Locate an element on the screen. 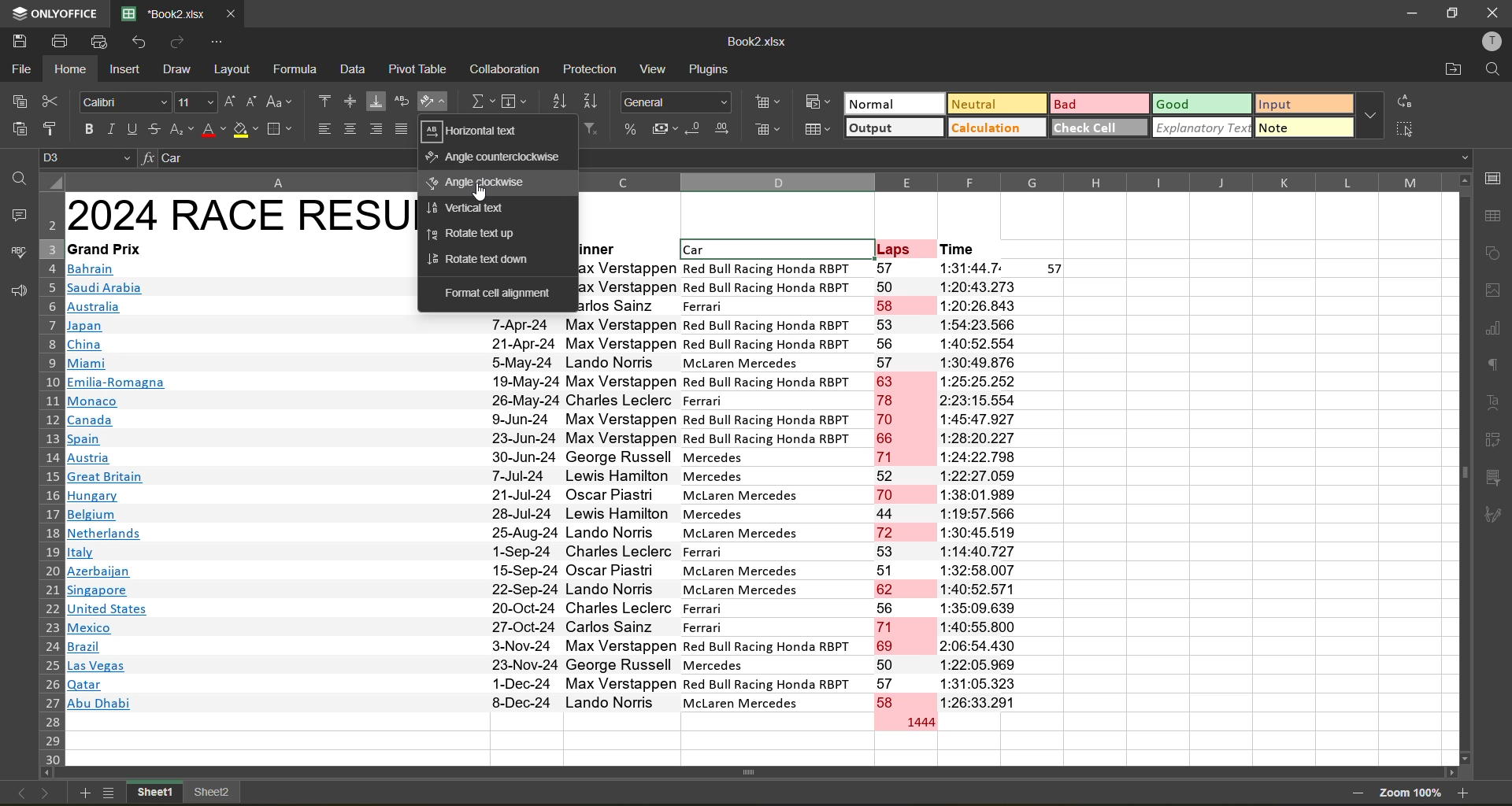 The width and height of the screenshot is (1512, 806). print is located at coordinates (56, 42).